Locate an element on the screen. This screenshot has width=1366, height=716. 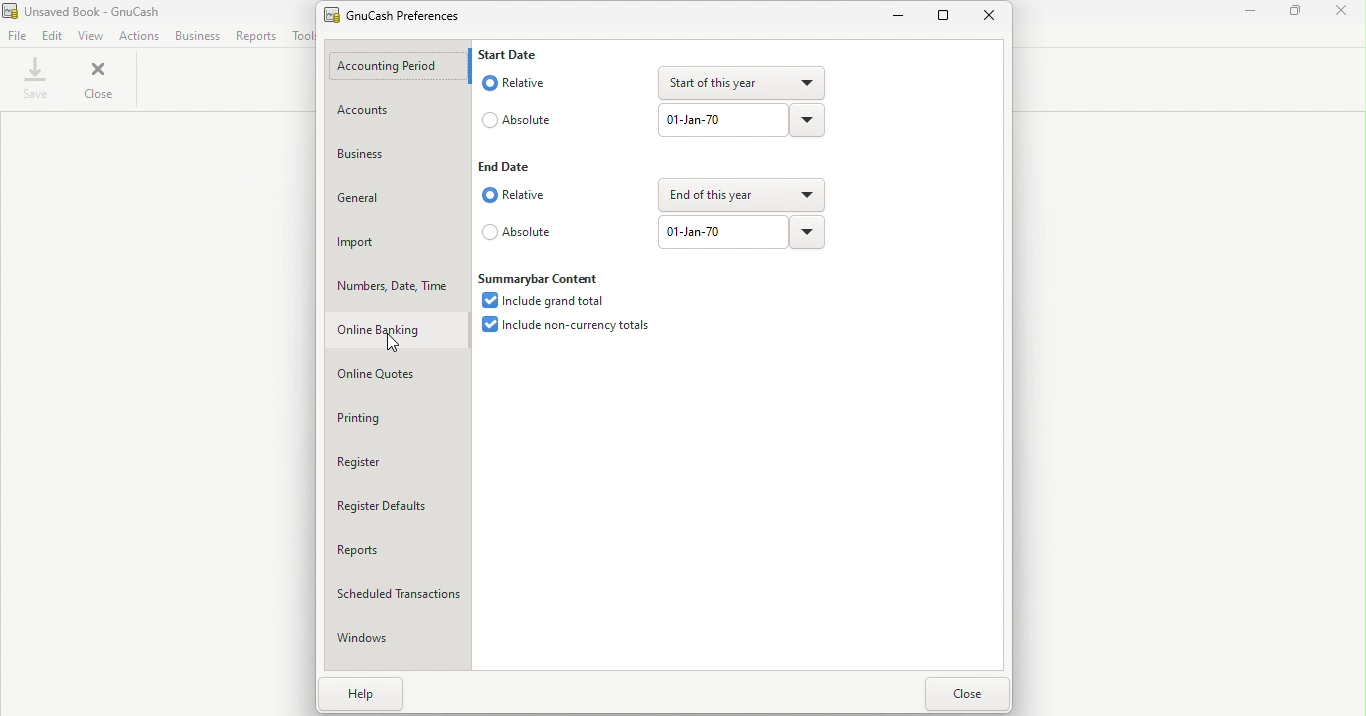
General is located at coordinates (396, 199).